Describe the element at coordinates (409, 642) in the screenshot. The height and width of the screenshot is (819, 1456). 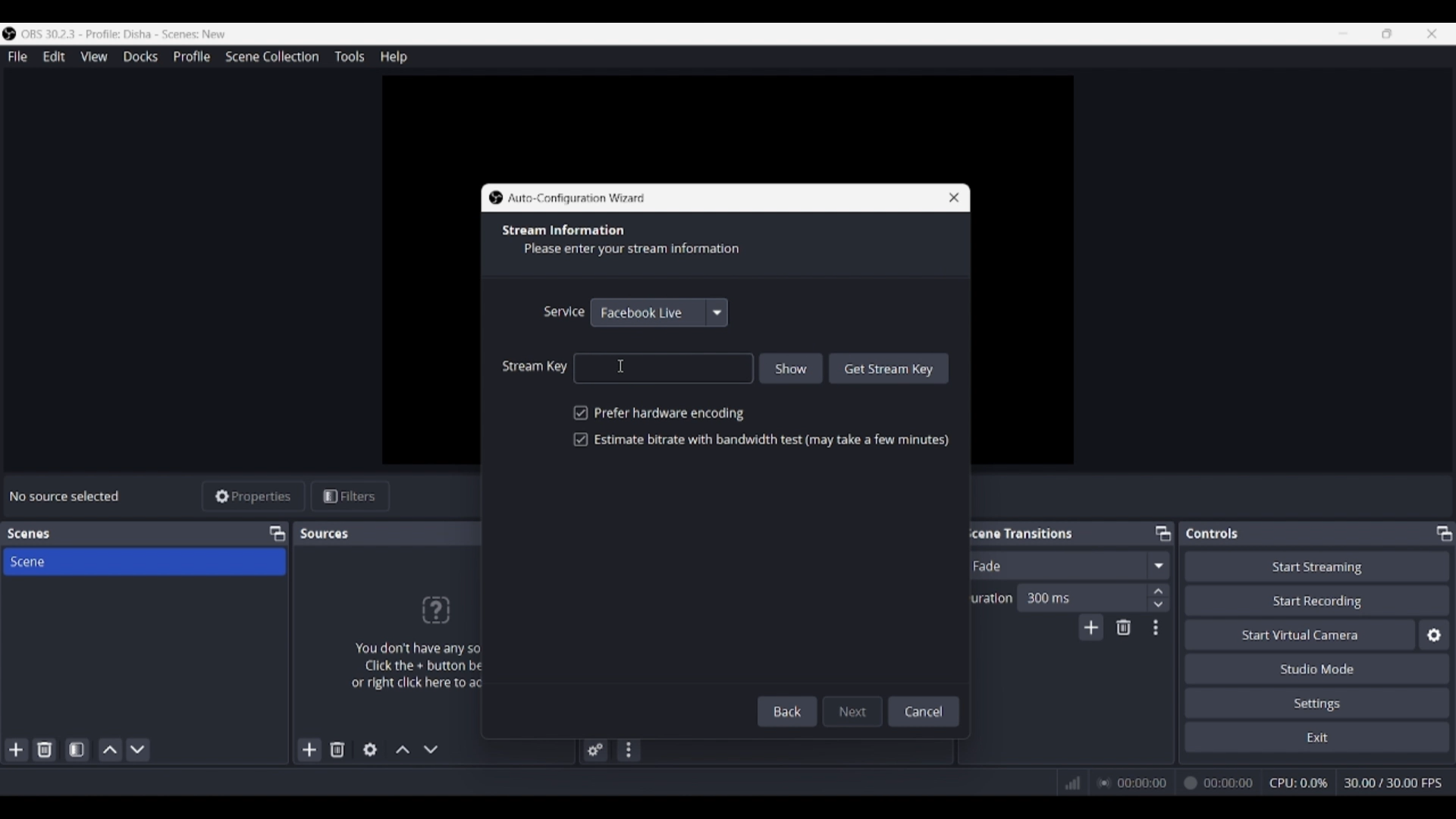
I see `Panel logo and text` at that location.